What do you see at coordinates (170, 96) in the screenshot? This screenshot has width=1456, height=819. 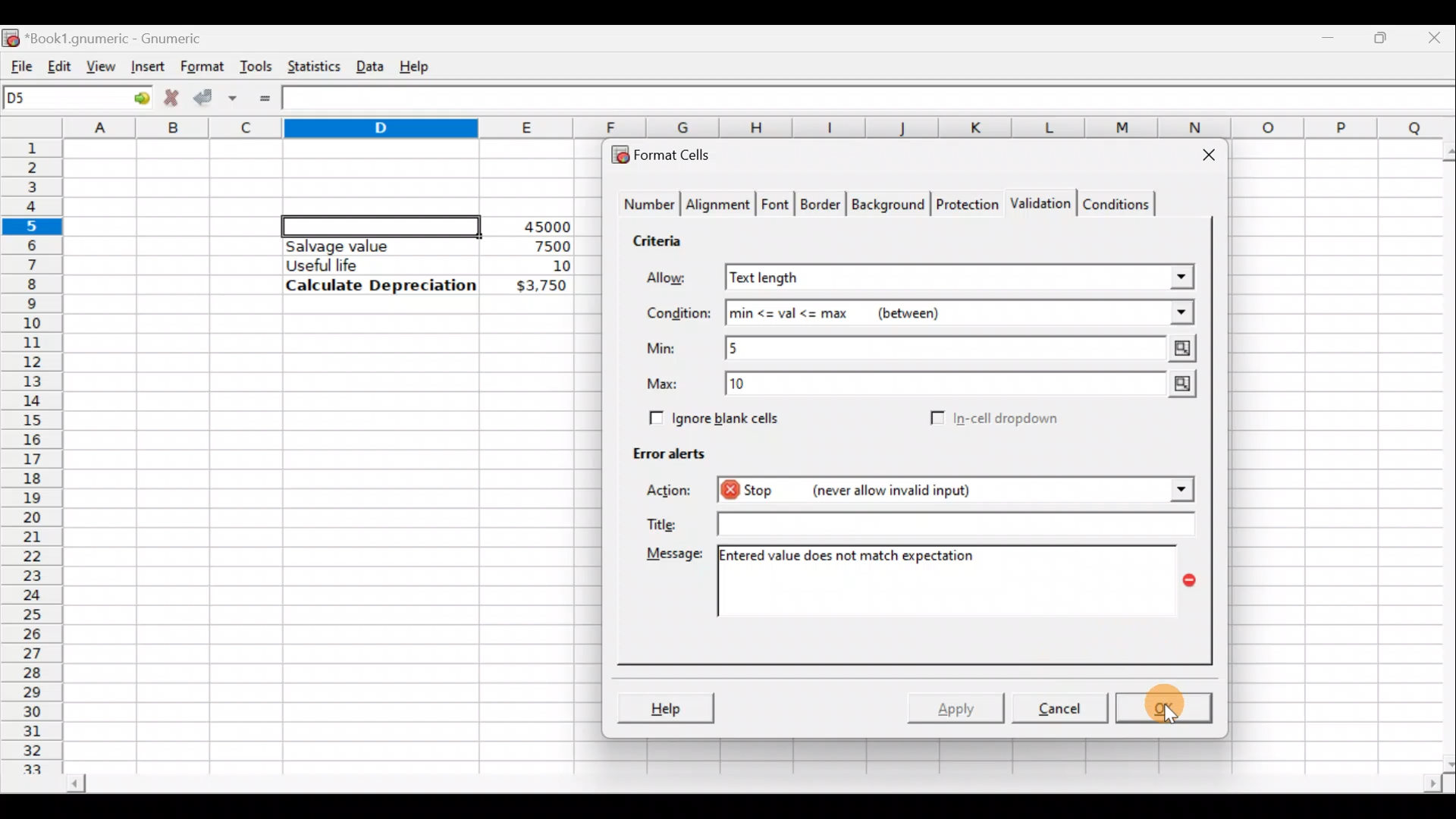 I see `Cancel change` at bounding box center [170, 96].